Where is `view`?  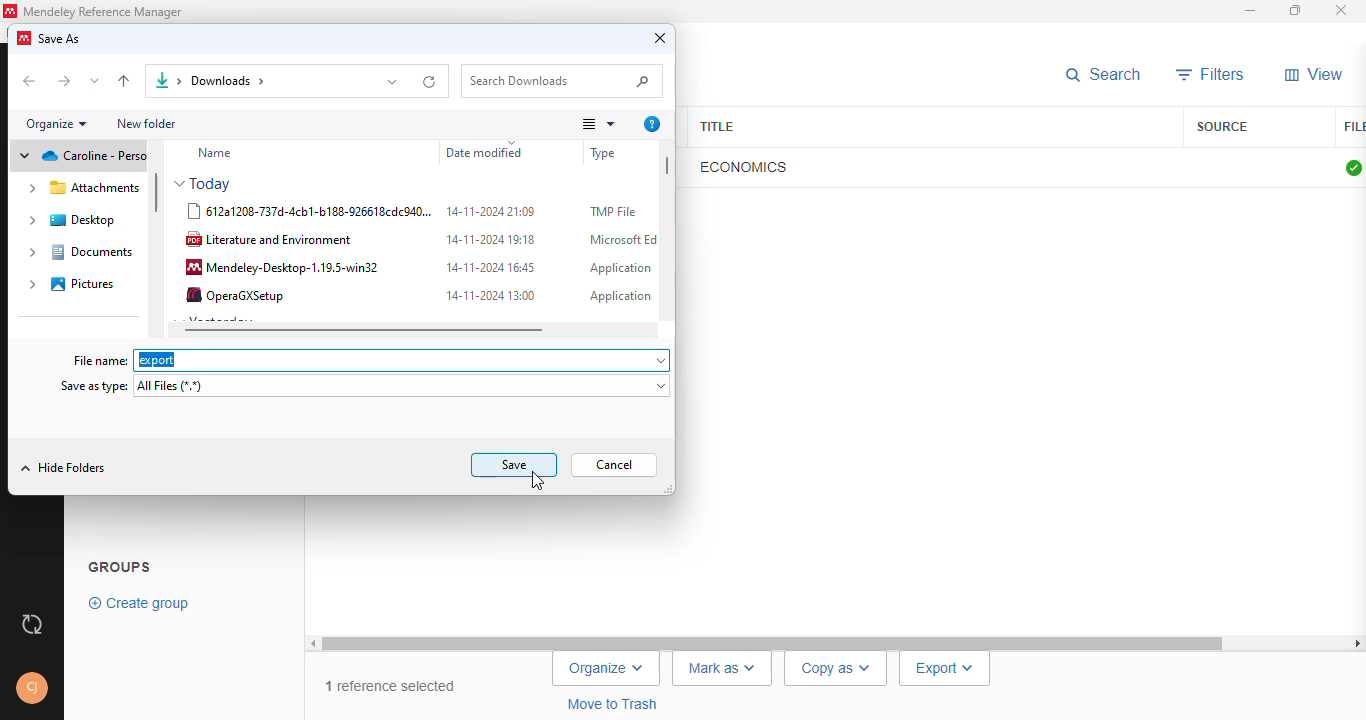
view is located at coordinates (1314, 74).